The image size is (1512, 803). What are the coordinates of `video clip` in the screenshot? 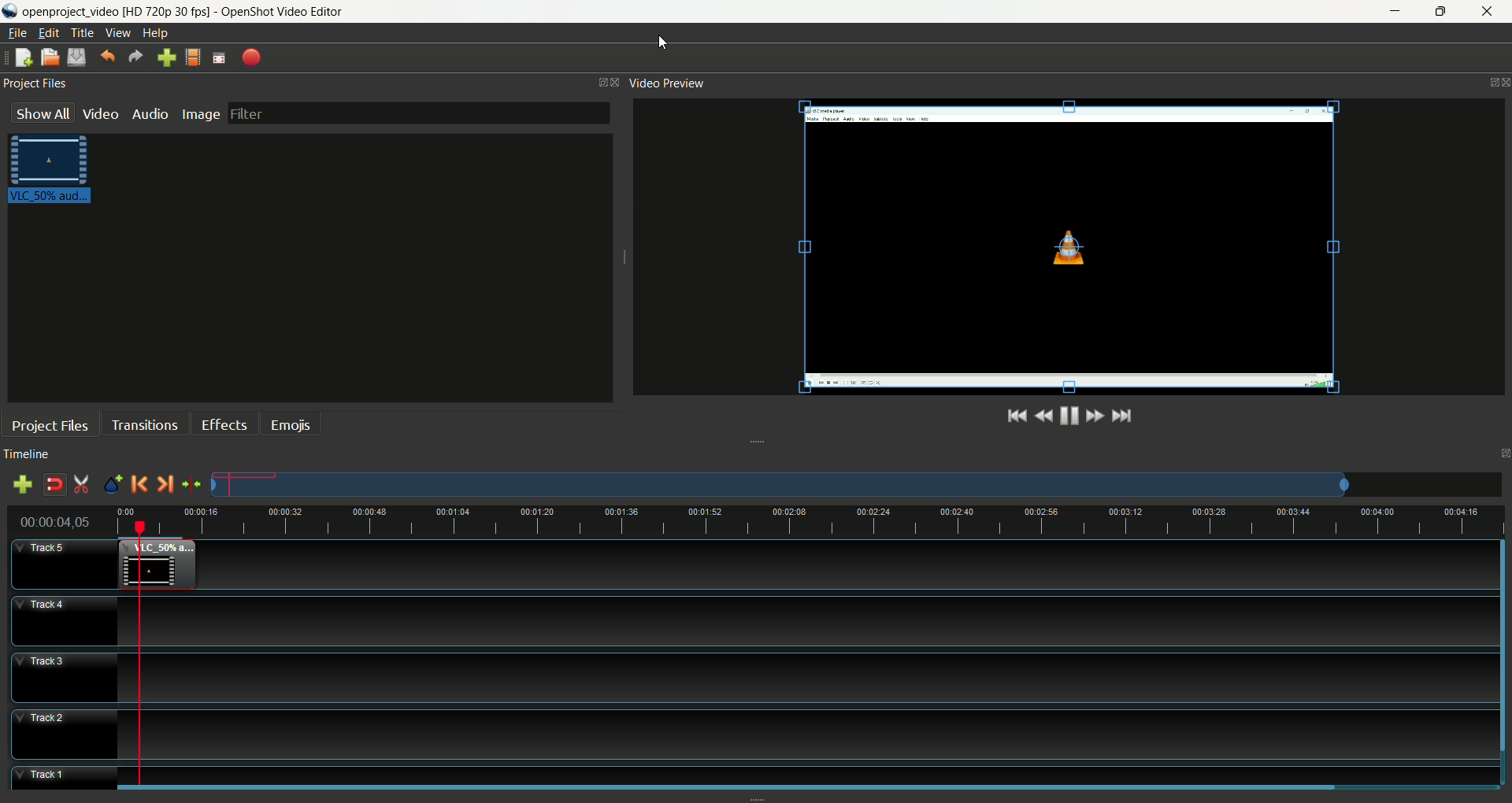 It's located at (157, 565).